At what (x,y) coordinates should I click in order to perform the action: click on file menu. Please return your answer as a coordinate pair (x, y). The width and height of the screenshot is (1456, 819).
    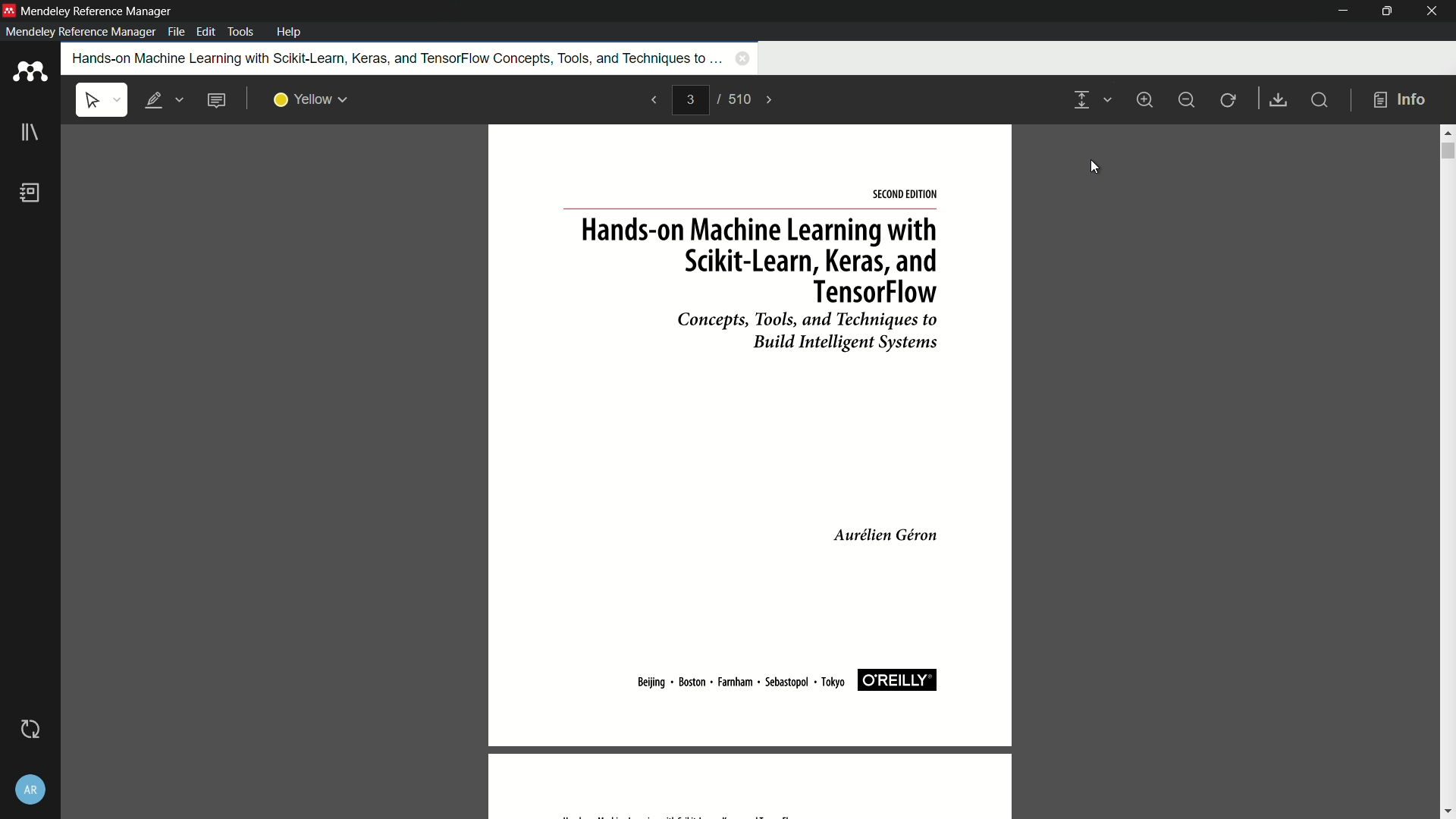
    Looking at the image, I should click on (176, 32).